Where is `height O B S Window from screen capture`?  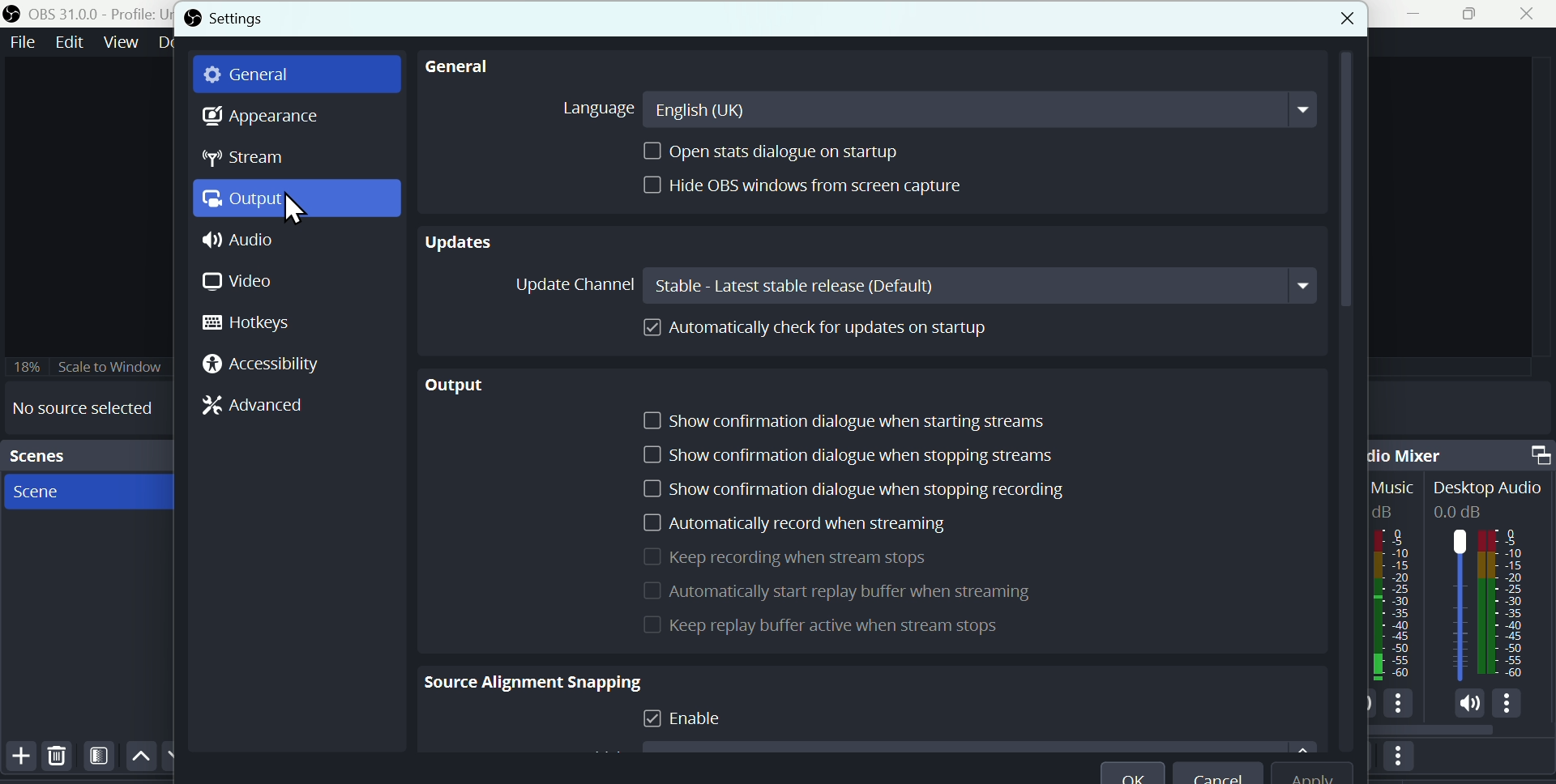 height O B S Window from screen capture is located at coordinates (816, 189).